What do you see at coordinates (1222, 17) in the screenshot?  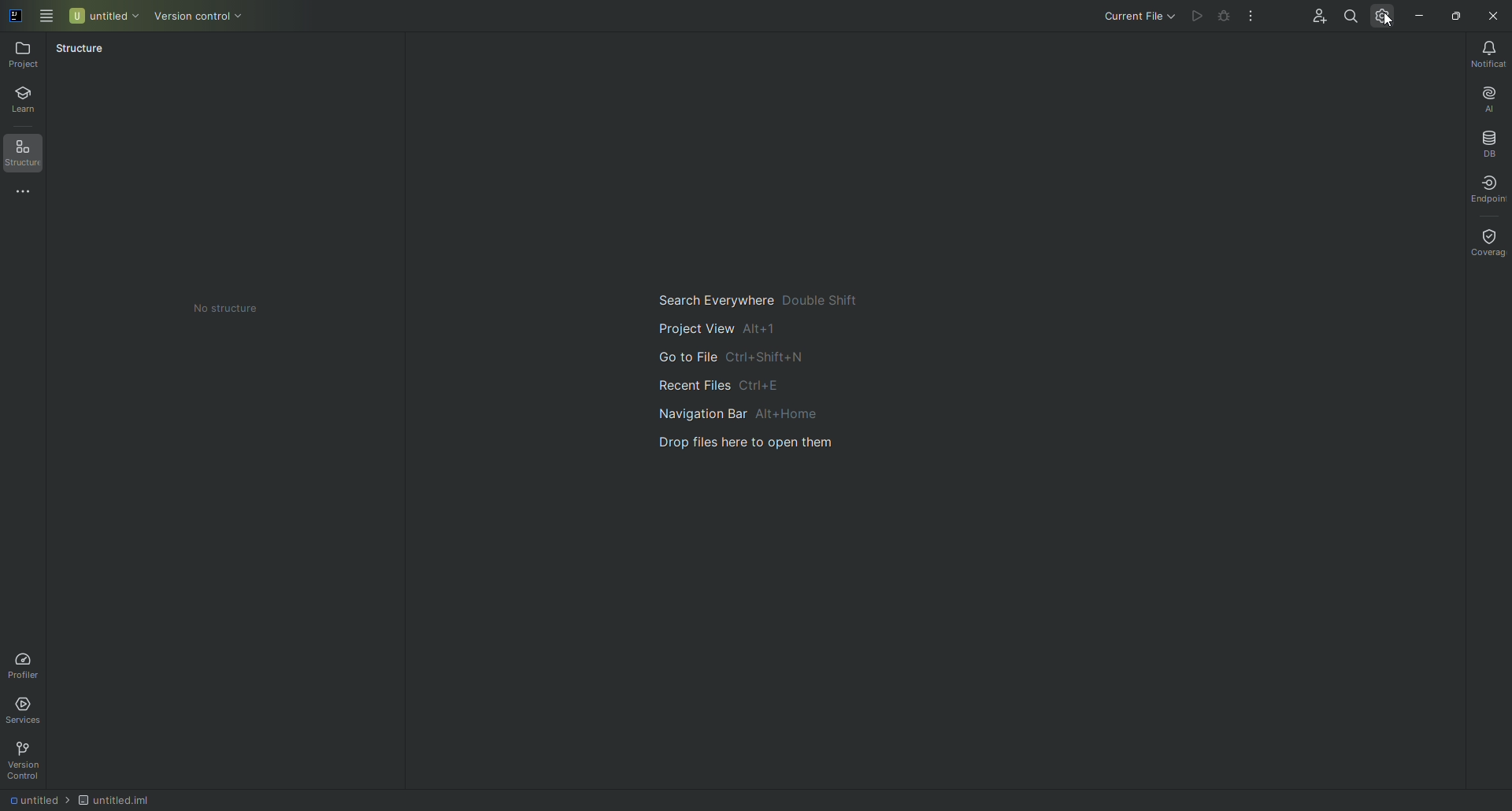 I see `Debug` at bounding box center [1222, 17].